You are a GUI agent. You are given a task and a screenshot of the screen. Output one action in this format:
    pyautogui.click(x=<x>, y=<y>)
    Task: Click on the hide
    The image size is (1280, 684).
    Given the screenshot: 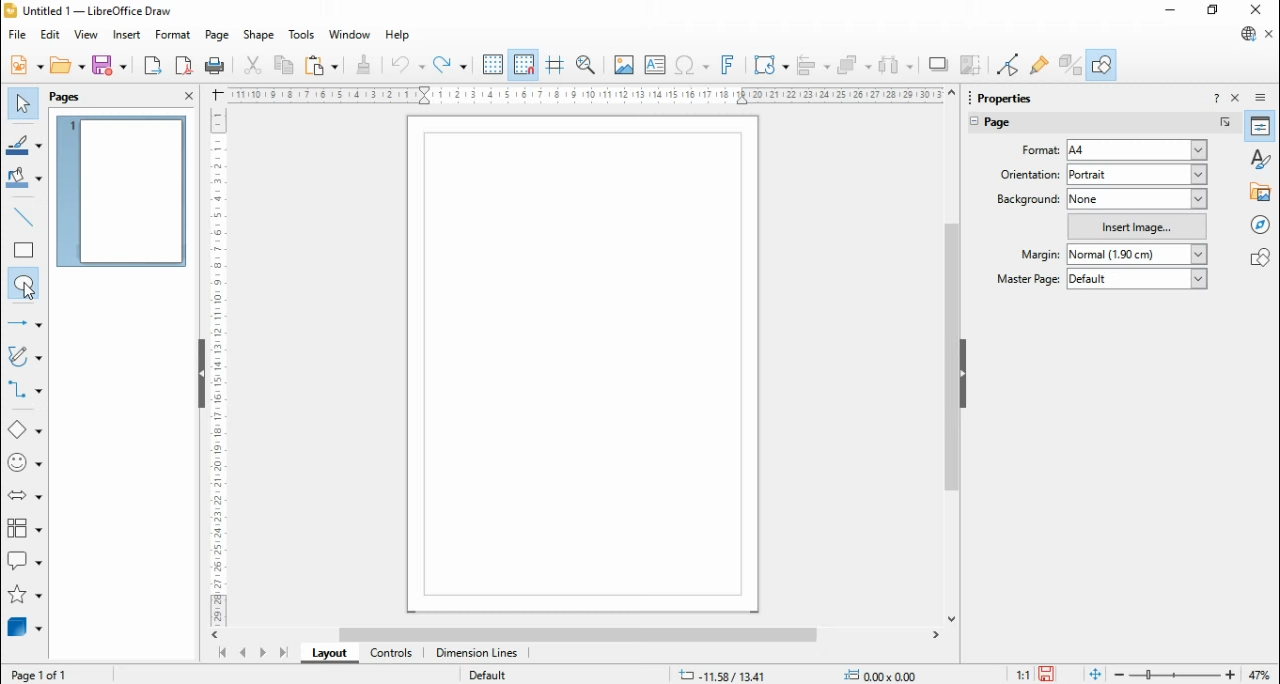 What is the action you would take?
    pyautogui.click(x=962, y=374)
    